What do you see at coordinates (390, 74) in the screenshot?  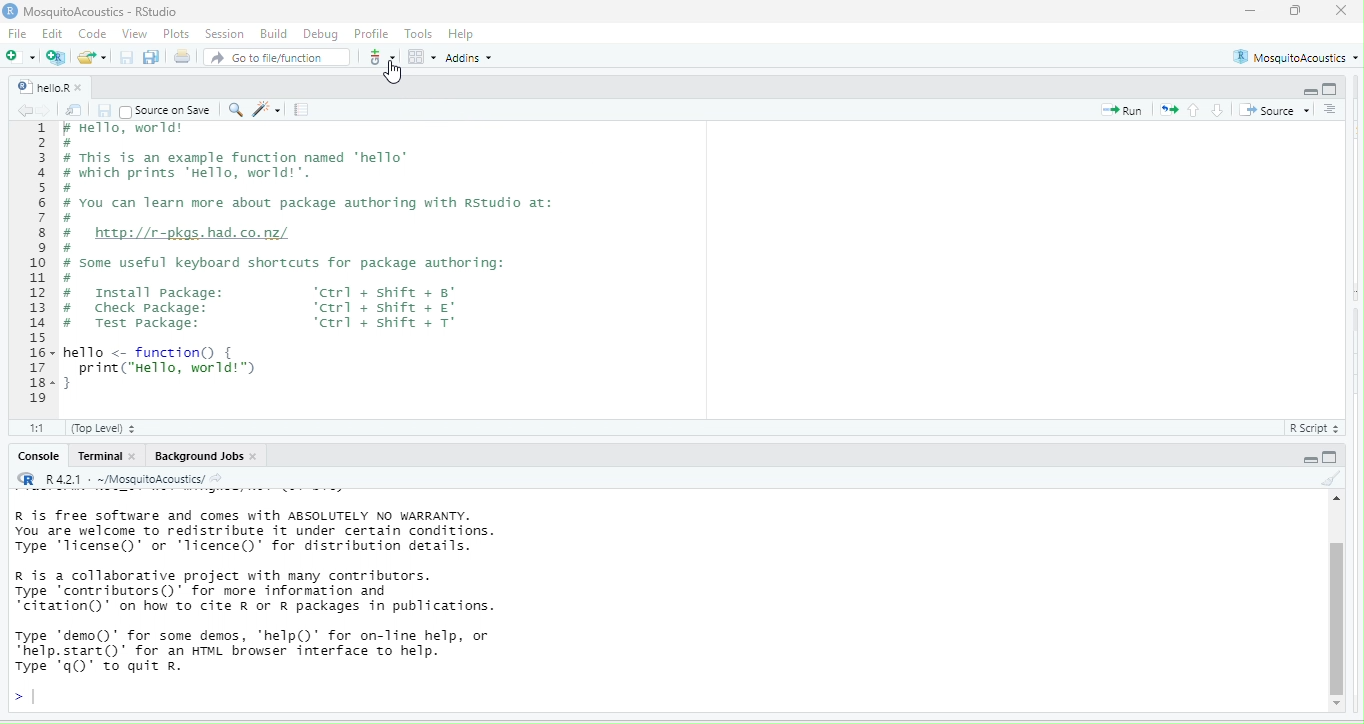 I see `cursor` at bounding box center [390, 74].